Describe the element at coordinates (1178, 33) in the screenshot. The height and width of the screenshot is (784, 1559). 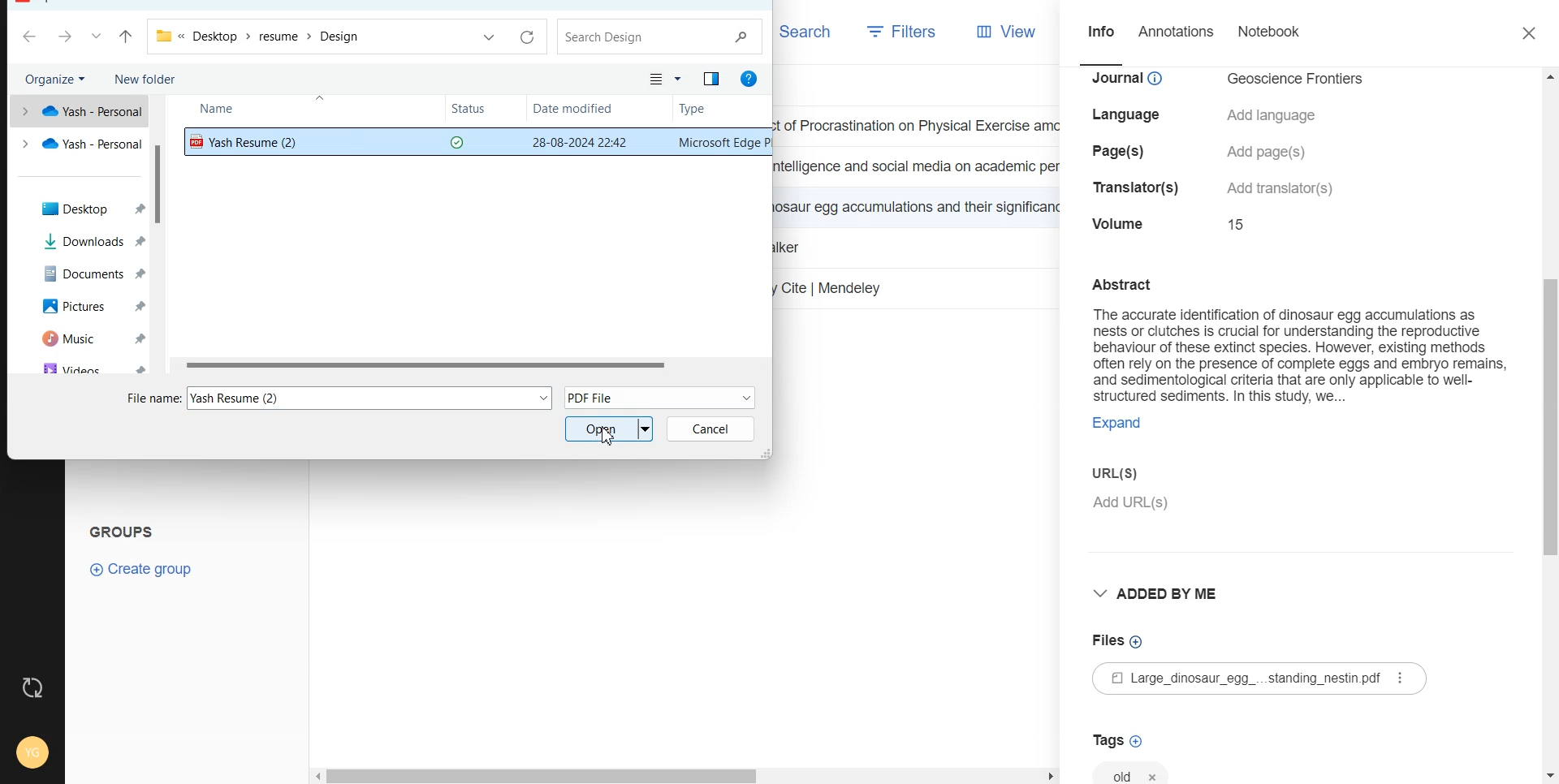
I see `Annotations` at that location.